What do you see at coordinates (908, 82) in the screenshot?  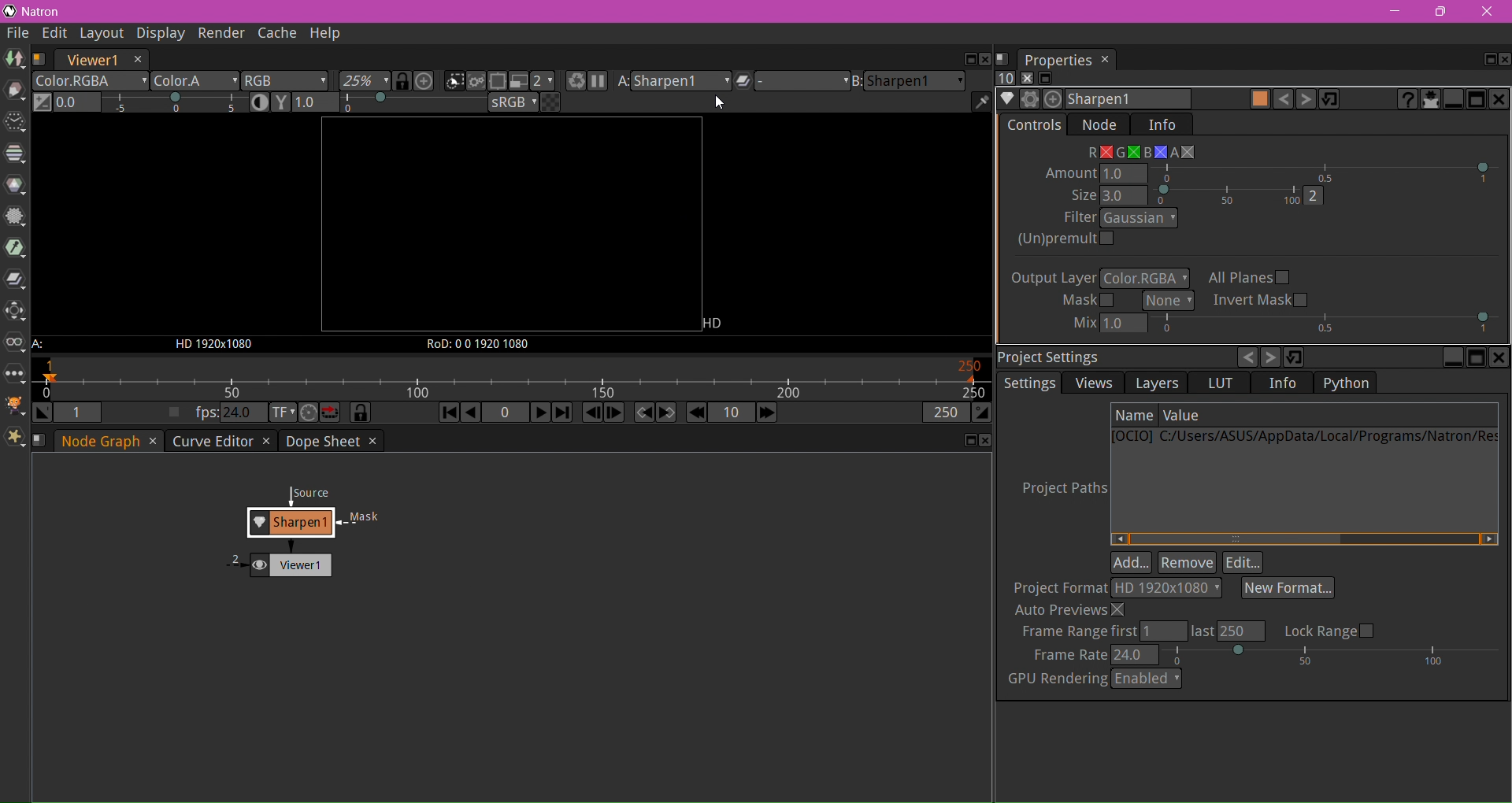 I see `Viewer Input B` at bounding box center [908, 82].